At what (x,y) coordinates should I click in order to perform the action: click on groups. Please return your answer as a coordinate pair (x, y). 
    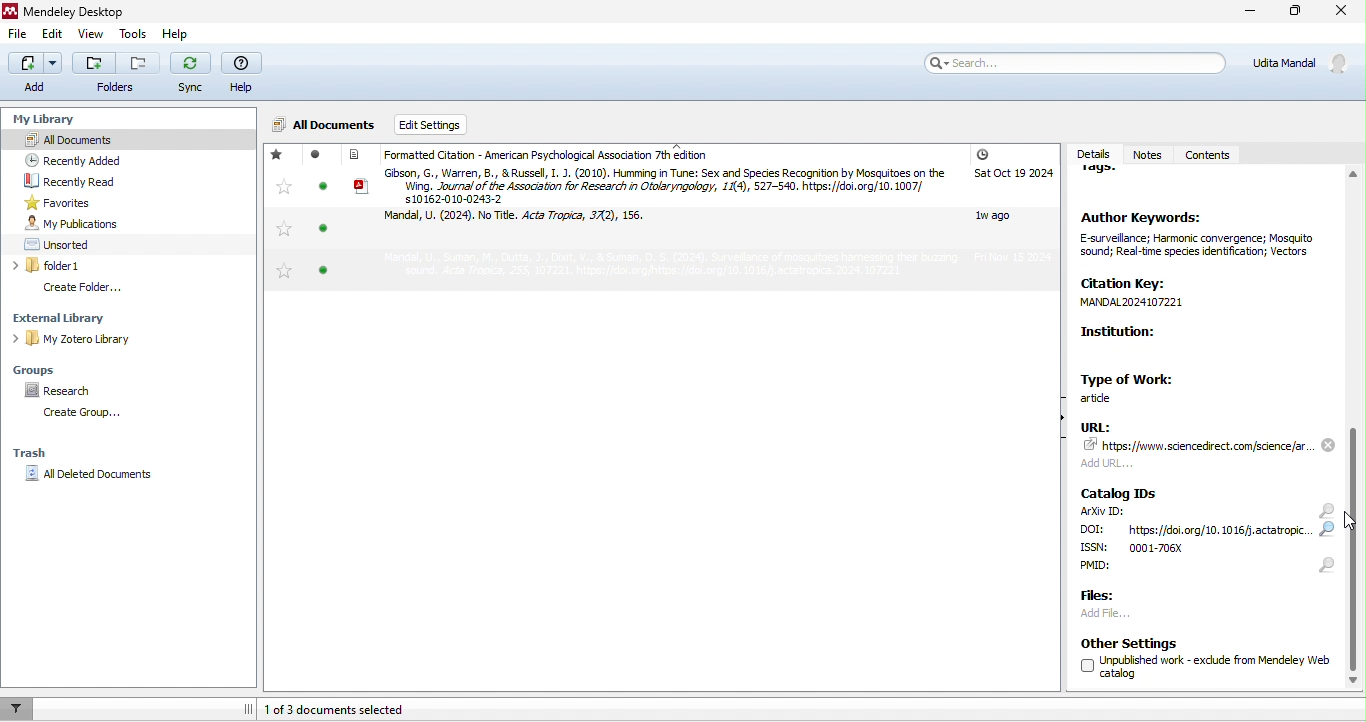
    Looking at the image, I should click on (45, 368).